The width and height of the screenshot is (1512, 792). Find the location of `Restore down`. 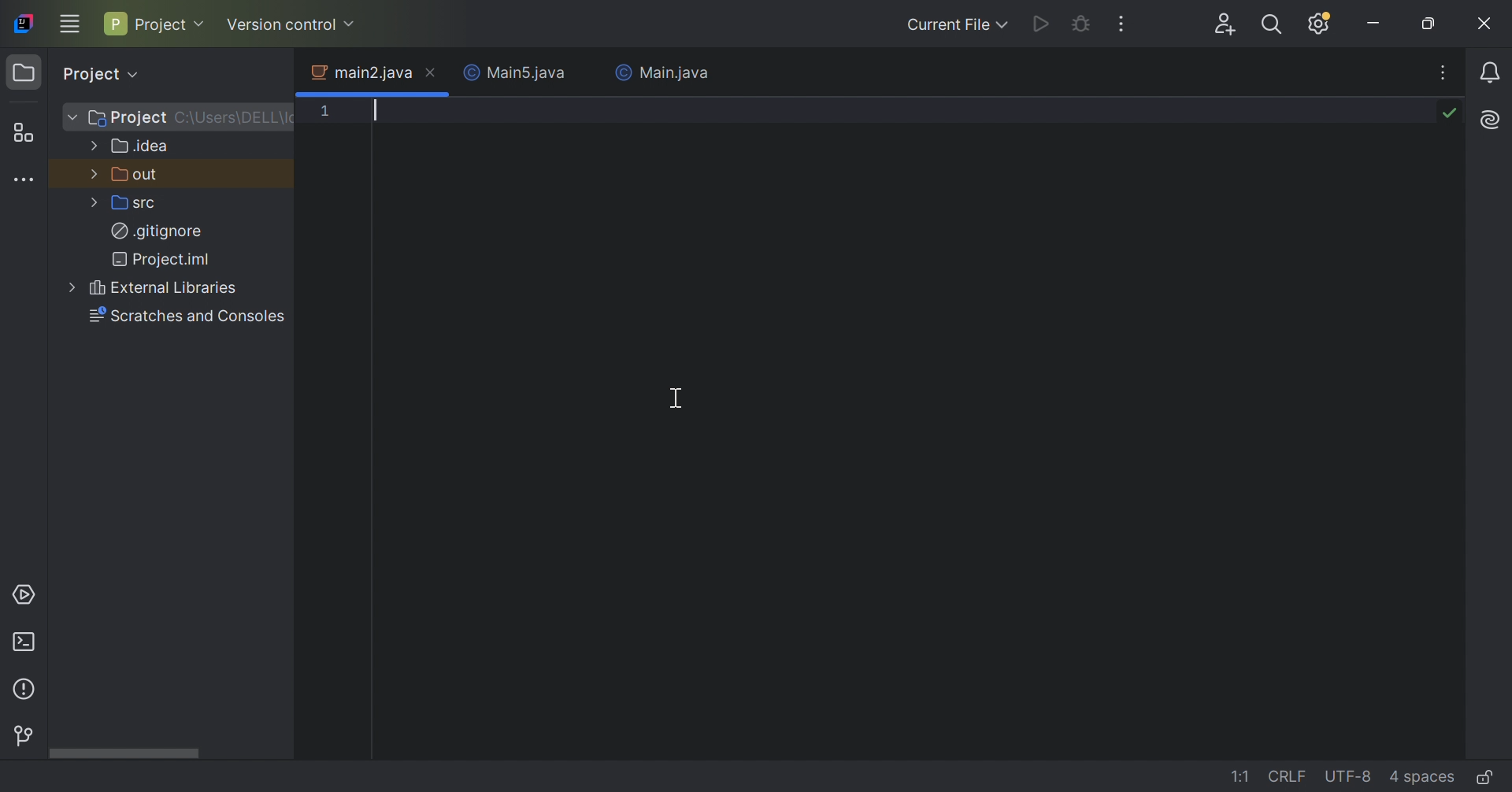

Restore down is located at coordinates (1435, 24).